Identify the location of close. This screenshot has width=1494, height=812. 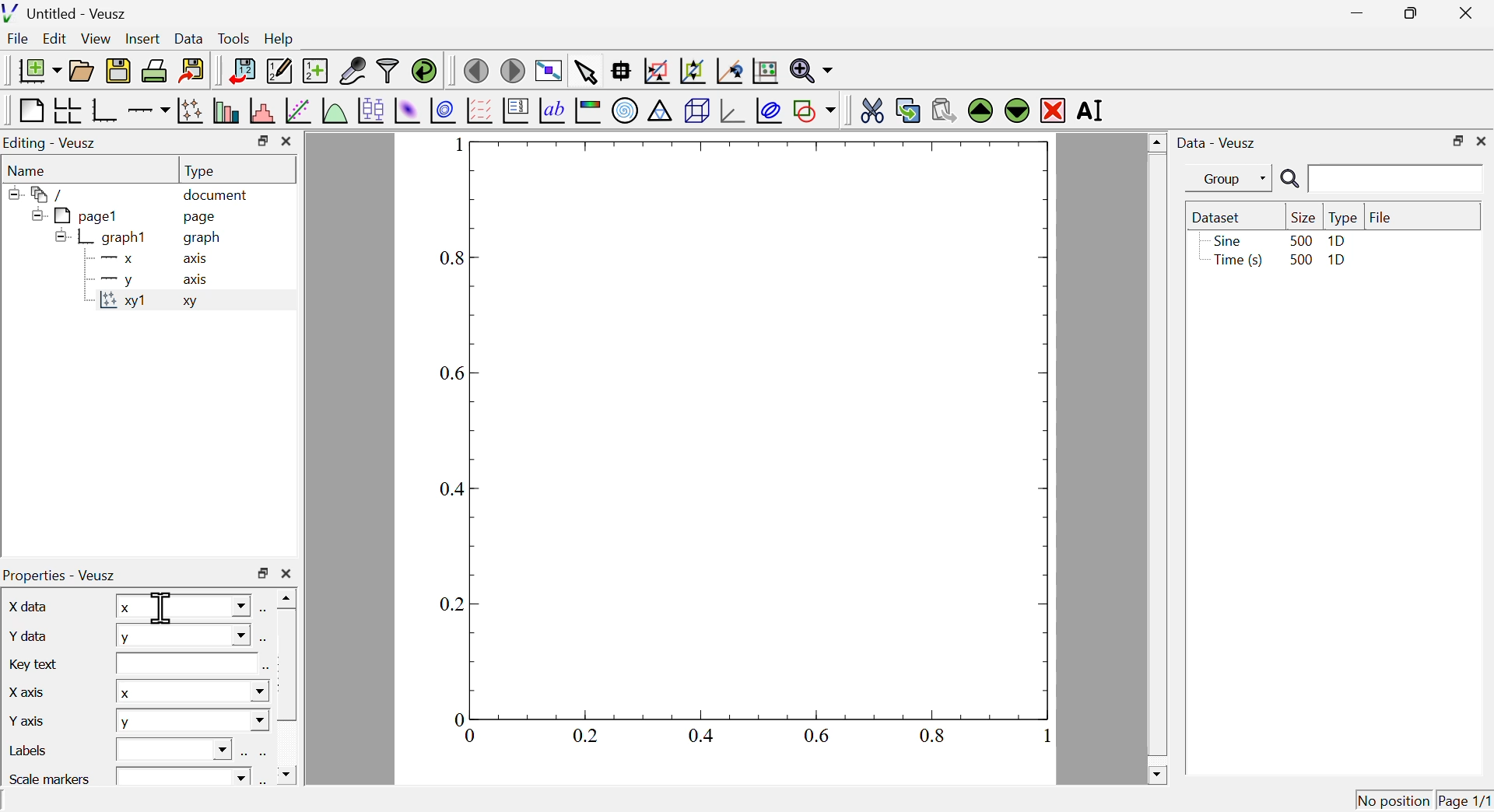
(286, 574).